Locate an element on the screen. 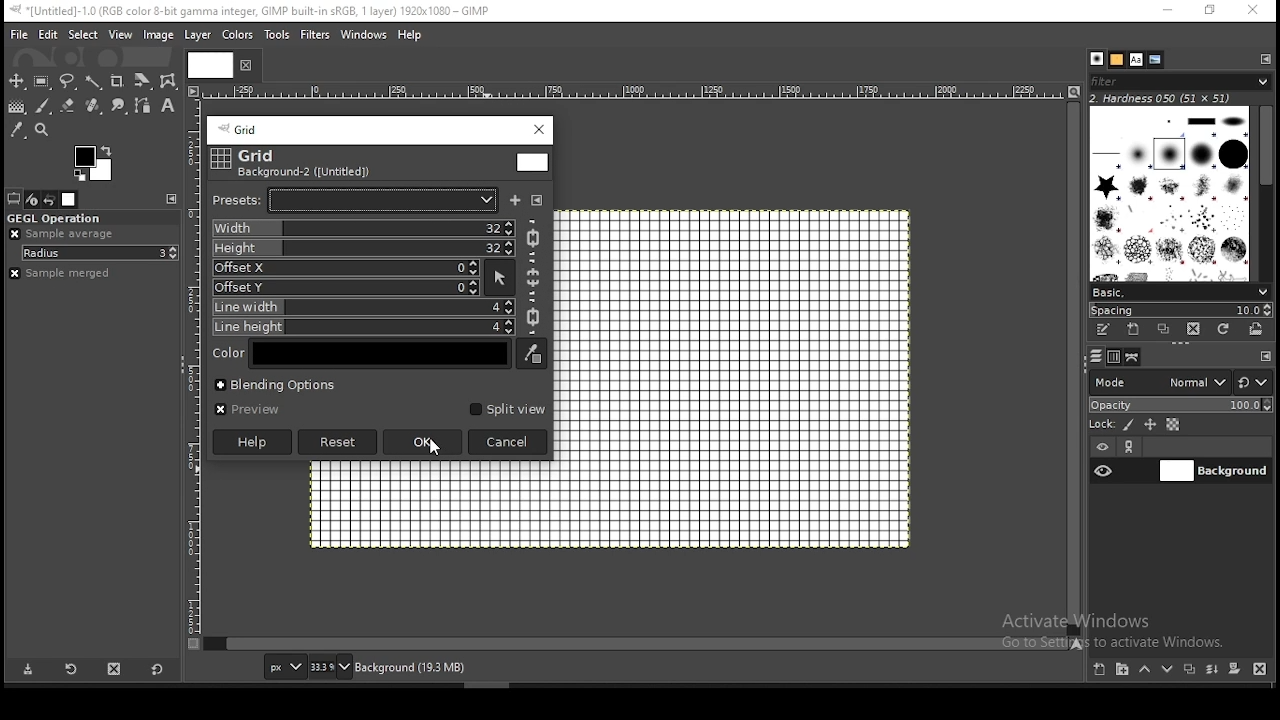  verticalscroll bar is located at coordinates (641, 643).